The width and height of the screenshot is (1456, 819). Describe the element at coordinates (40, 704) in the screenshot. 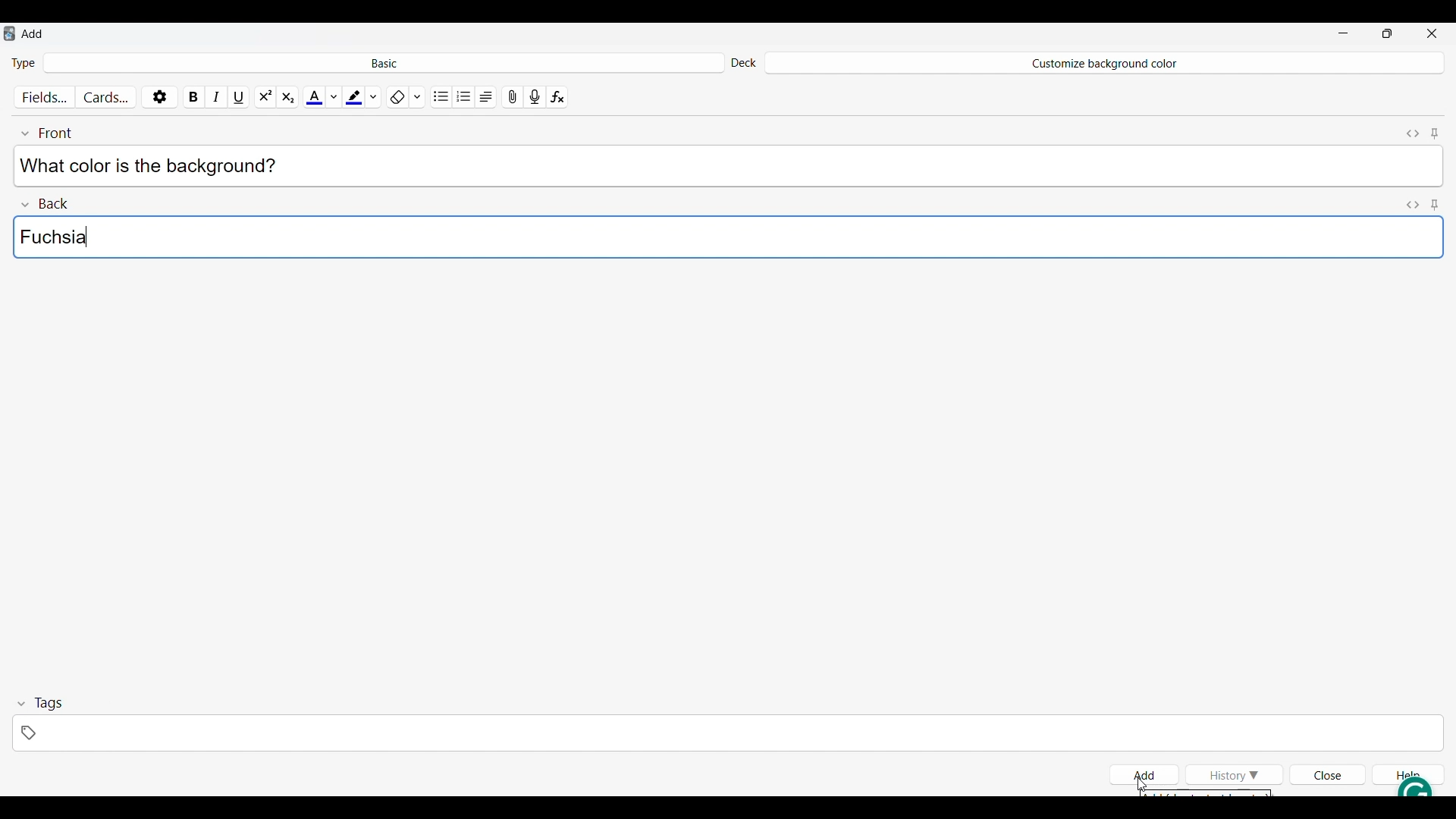

I see `Collapse tags` at that location.